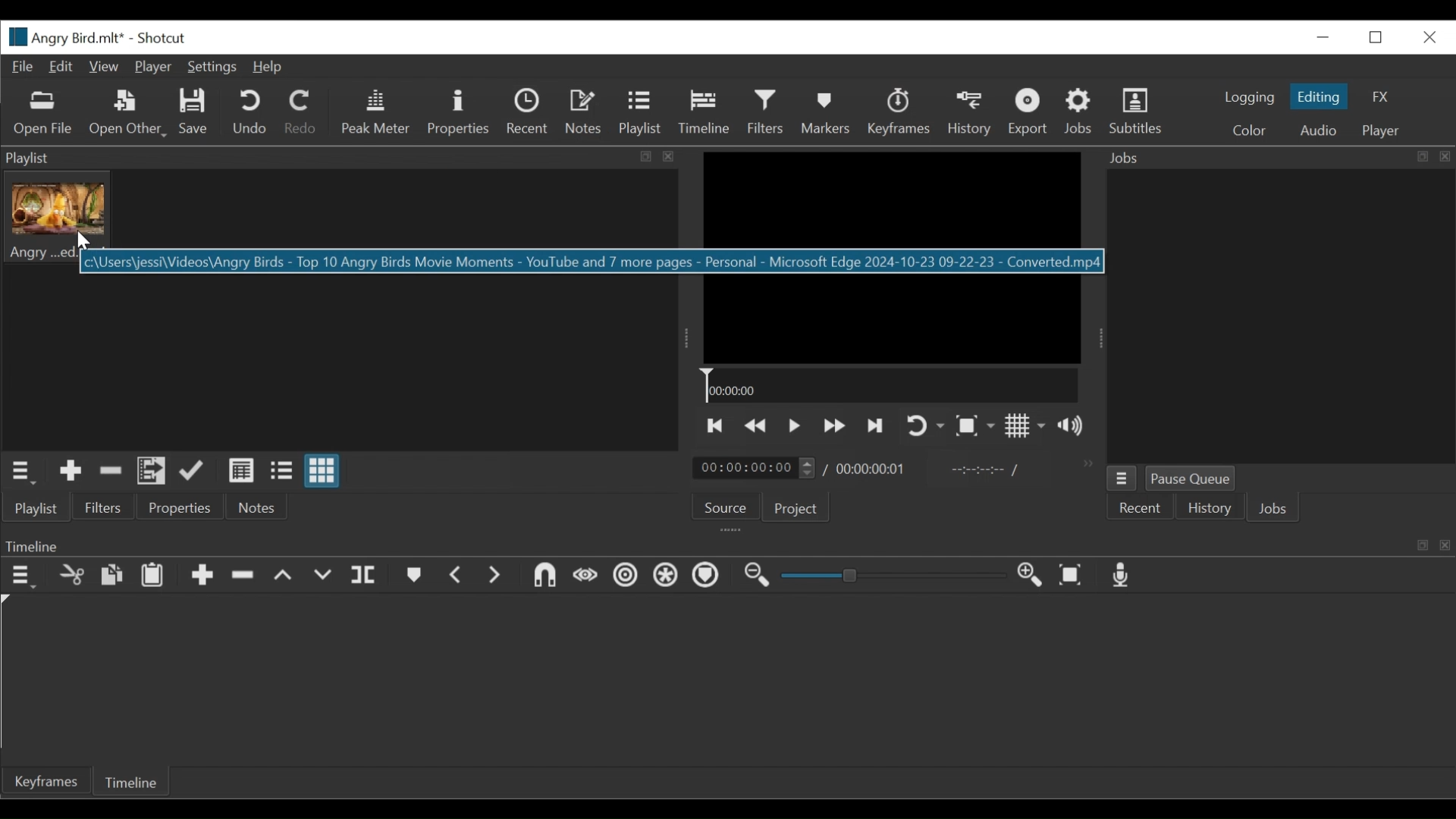 The height and width of the screenshot is (819, 1456). Describe the element at coordinates (62, 37) in the screenshot. I see `File name` at that location.